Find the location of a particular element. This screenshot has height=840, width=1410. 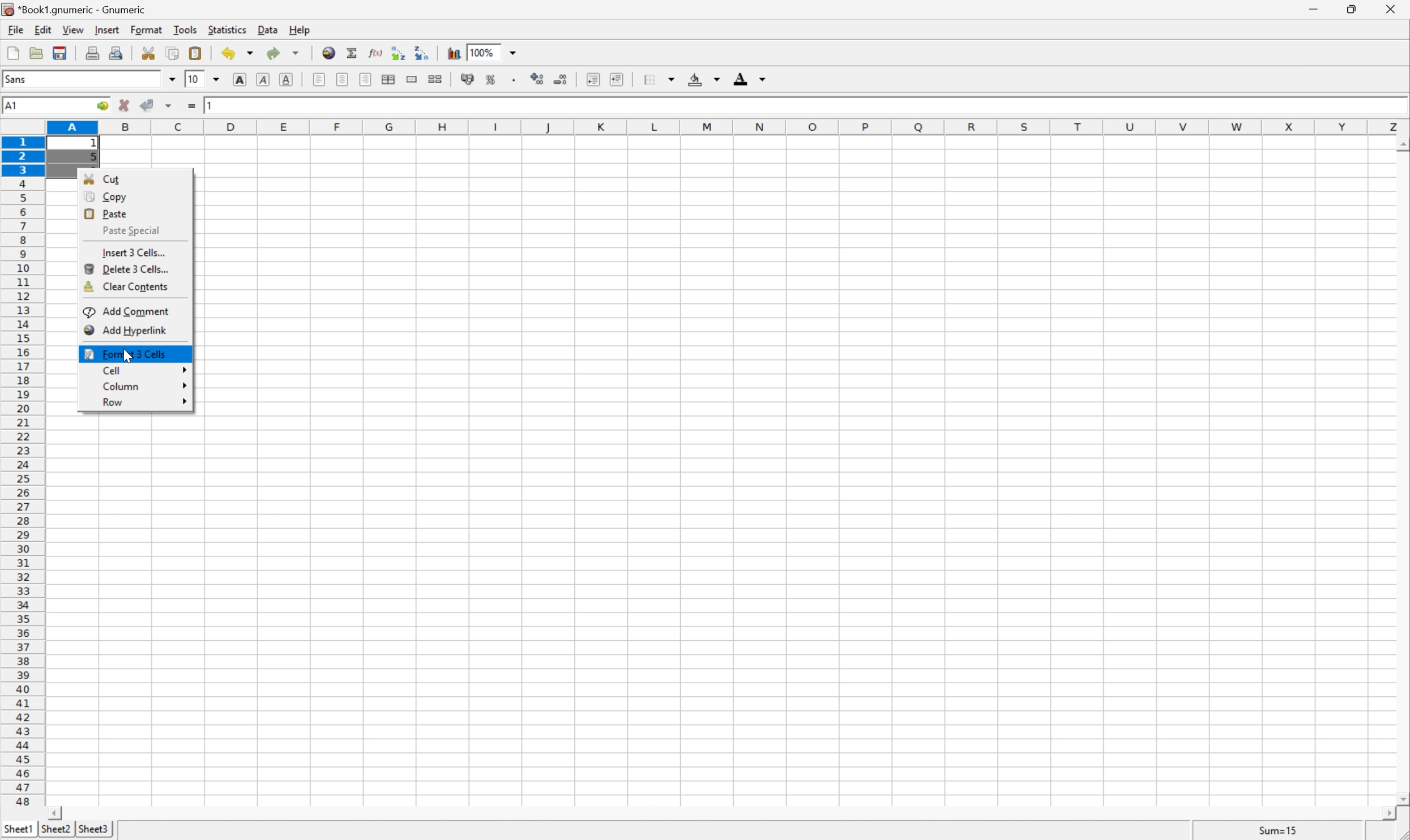

A1 is located at coordinates (14, 106).